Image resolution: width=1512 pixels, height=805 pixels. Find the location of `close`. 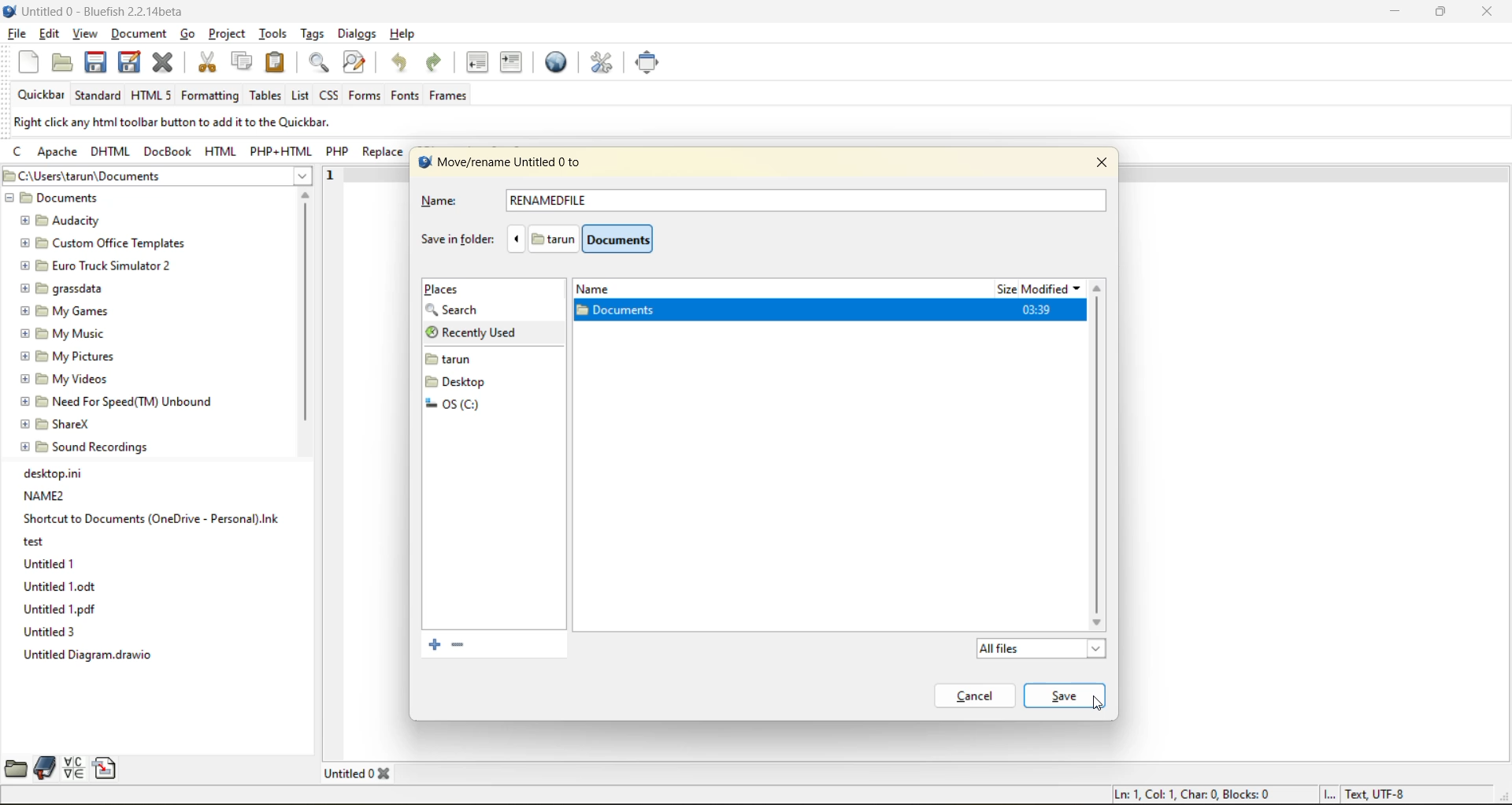

close is located at coordinates (1490, 11).